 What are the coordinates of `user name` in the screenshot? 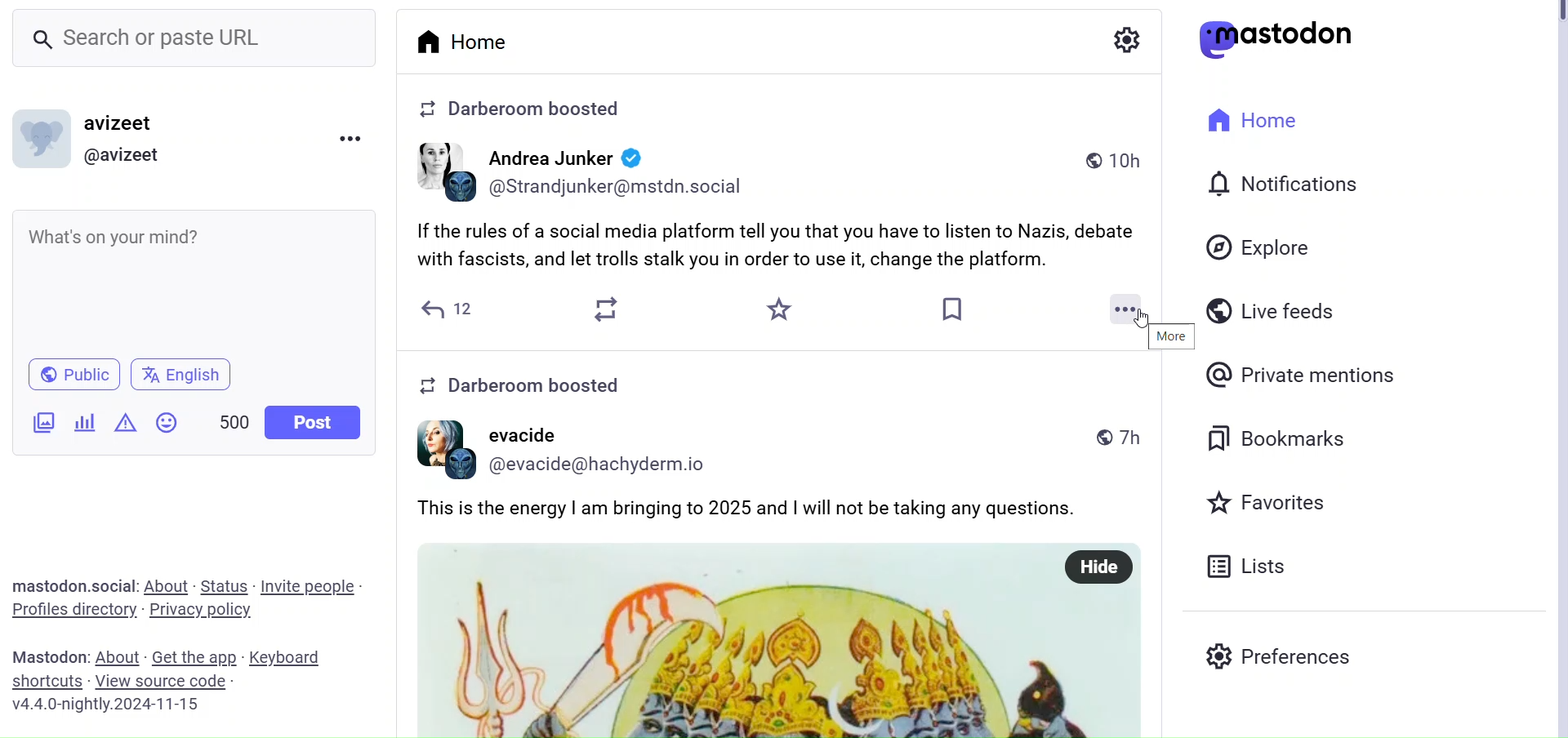 It's located at (568, 158).